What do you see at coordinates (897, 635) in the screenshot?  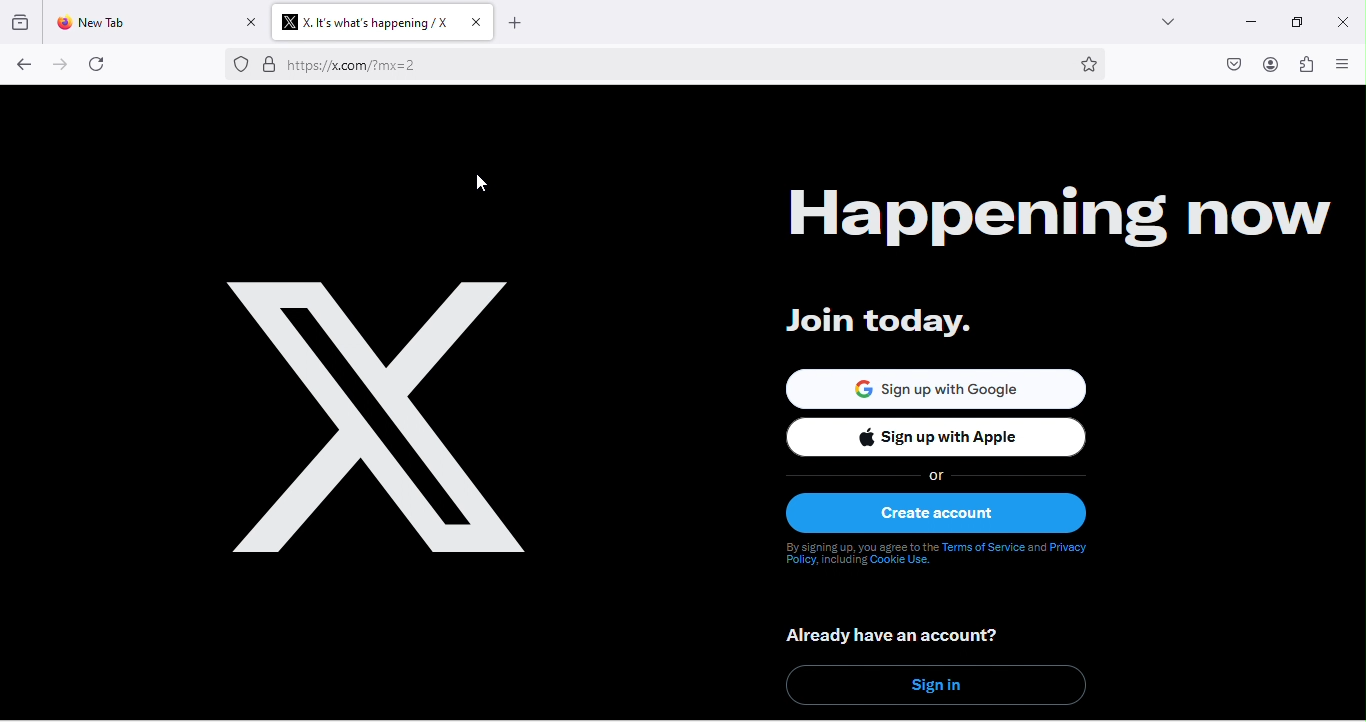 I see `already have an account` at bounding box center [897, 635].